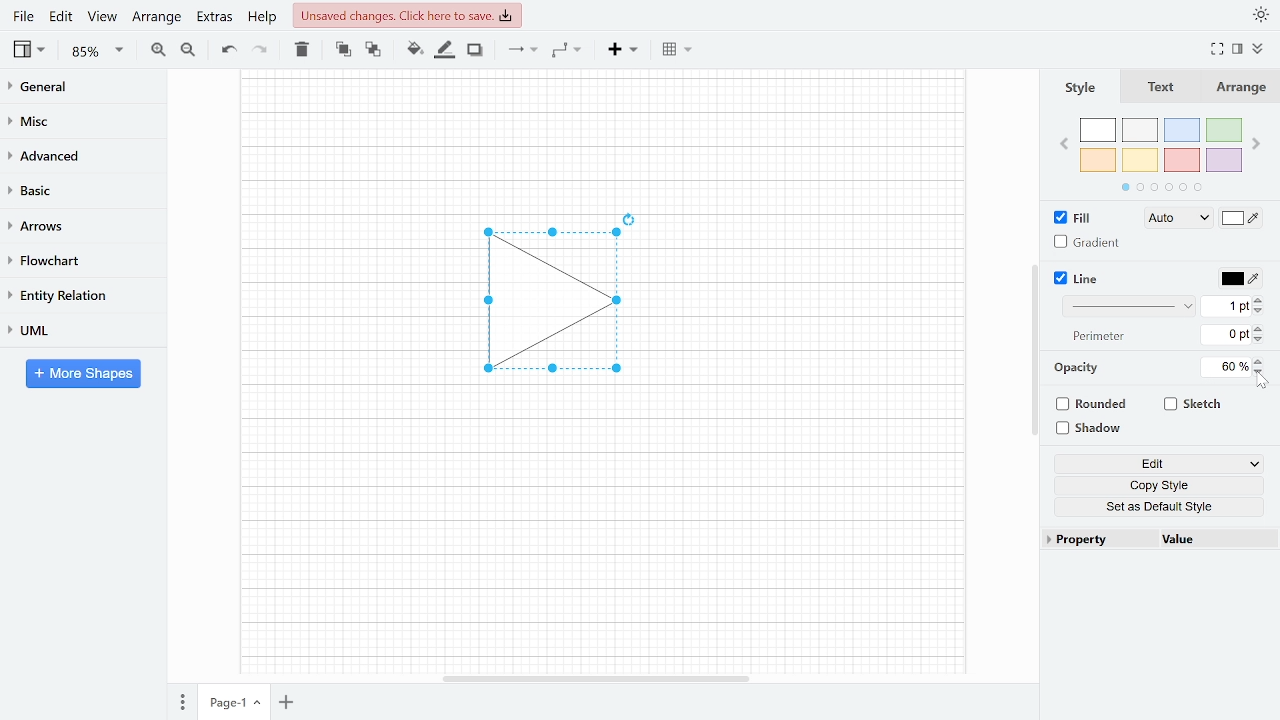  Describe the element at coordinates (190, 49) in the screenshot. I see `Zoom out` at that location.